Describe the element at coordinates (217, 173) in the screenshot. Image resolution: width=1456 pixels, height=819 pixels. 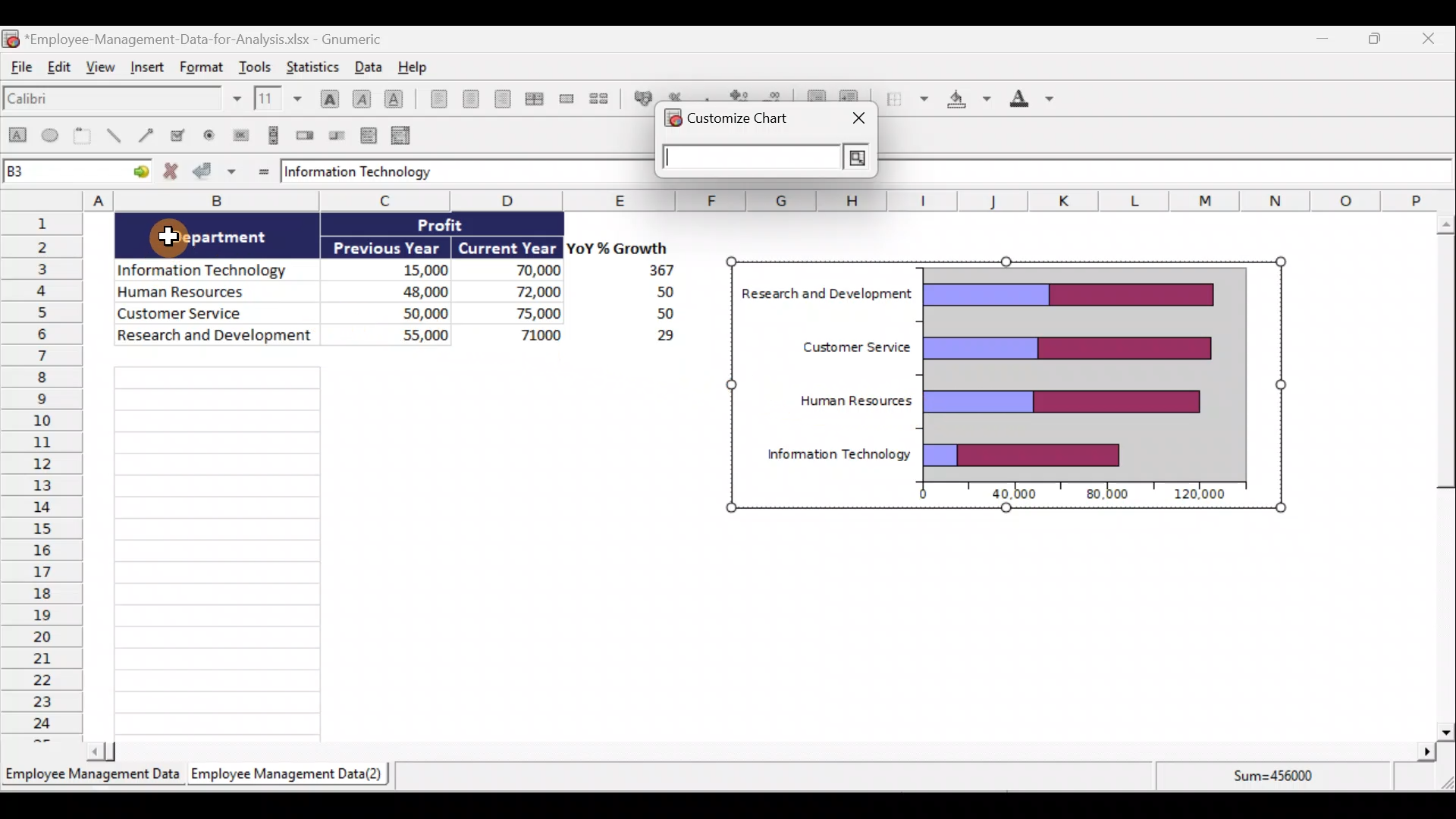
I see `Accept change` at that location.